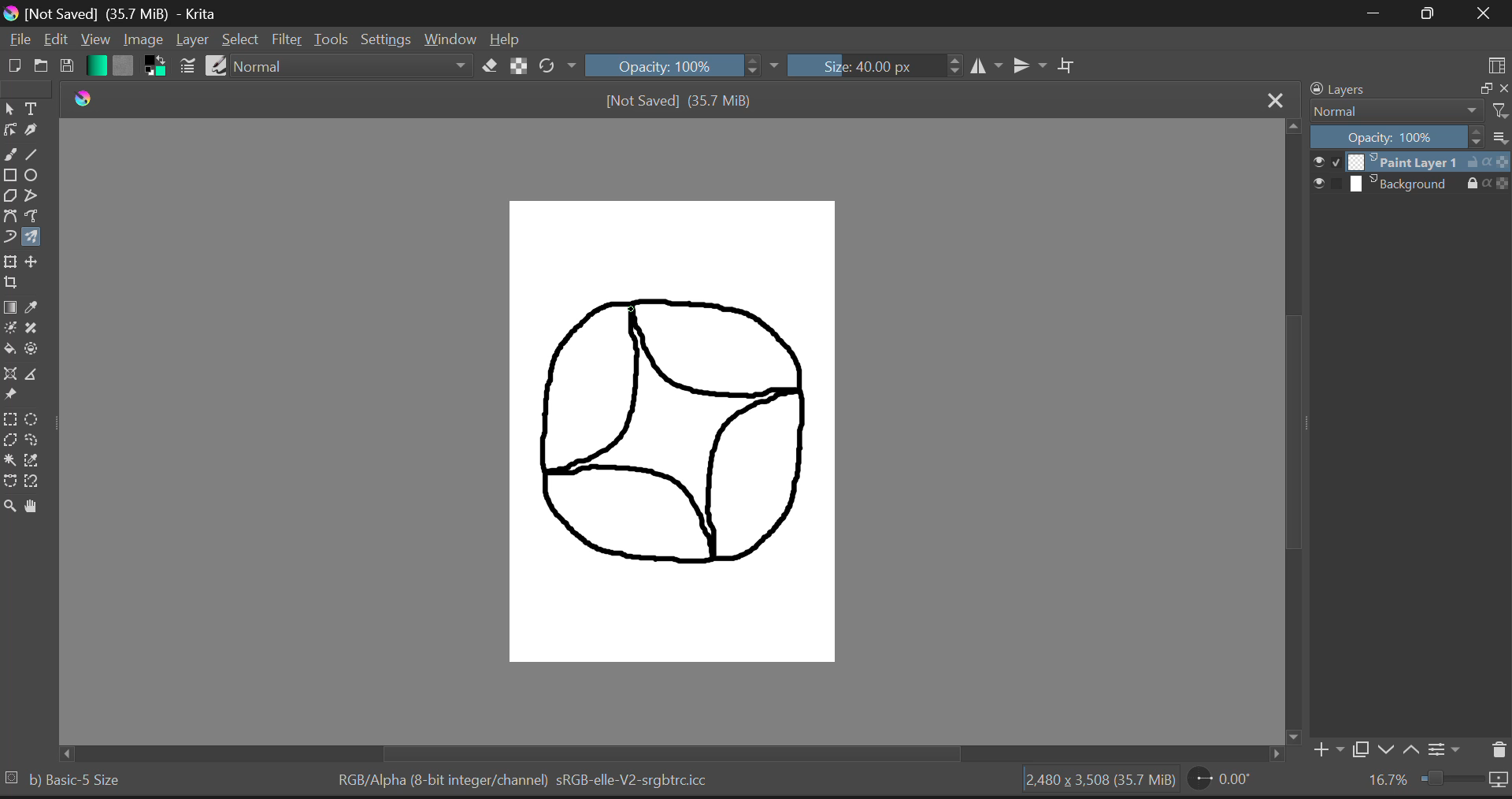 This screenshot has height=799, width=1512. Describe the element at coordinates (1501, 110) in the screenshot. I see `` at that location.